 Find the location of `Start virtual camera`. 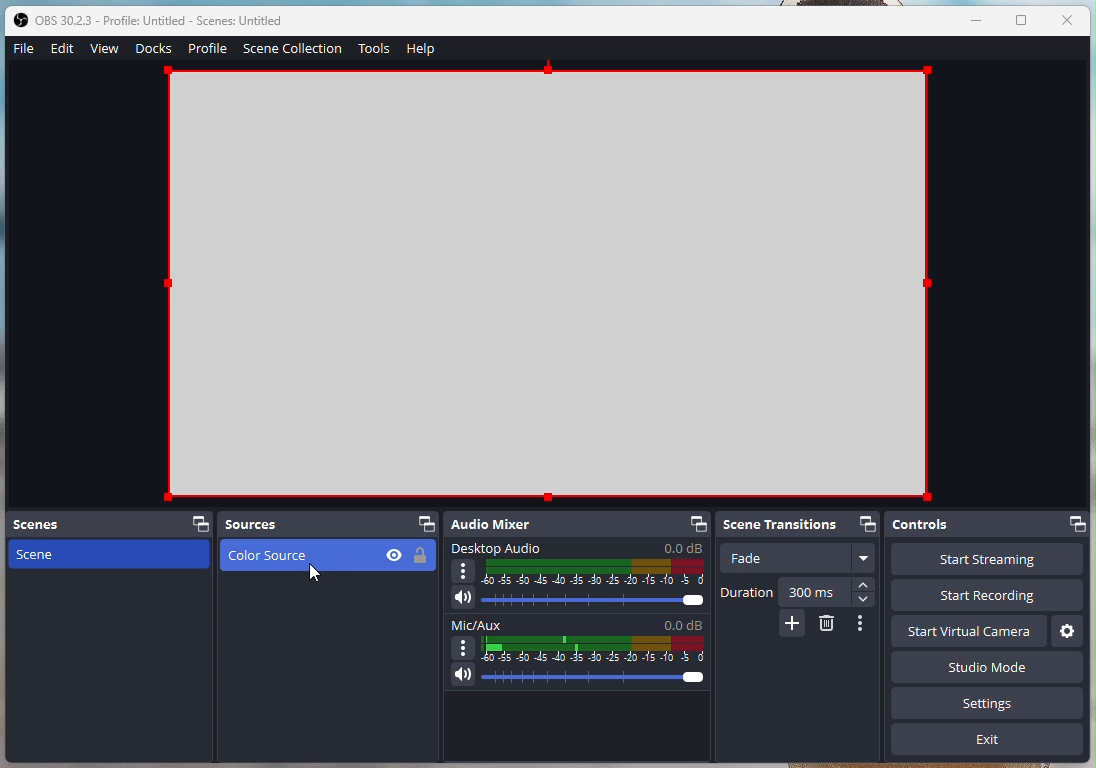

Start virtual camera is located at coordinates (969, 630).